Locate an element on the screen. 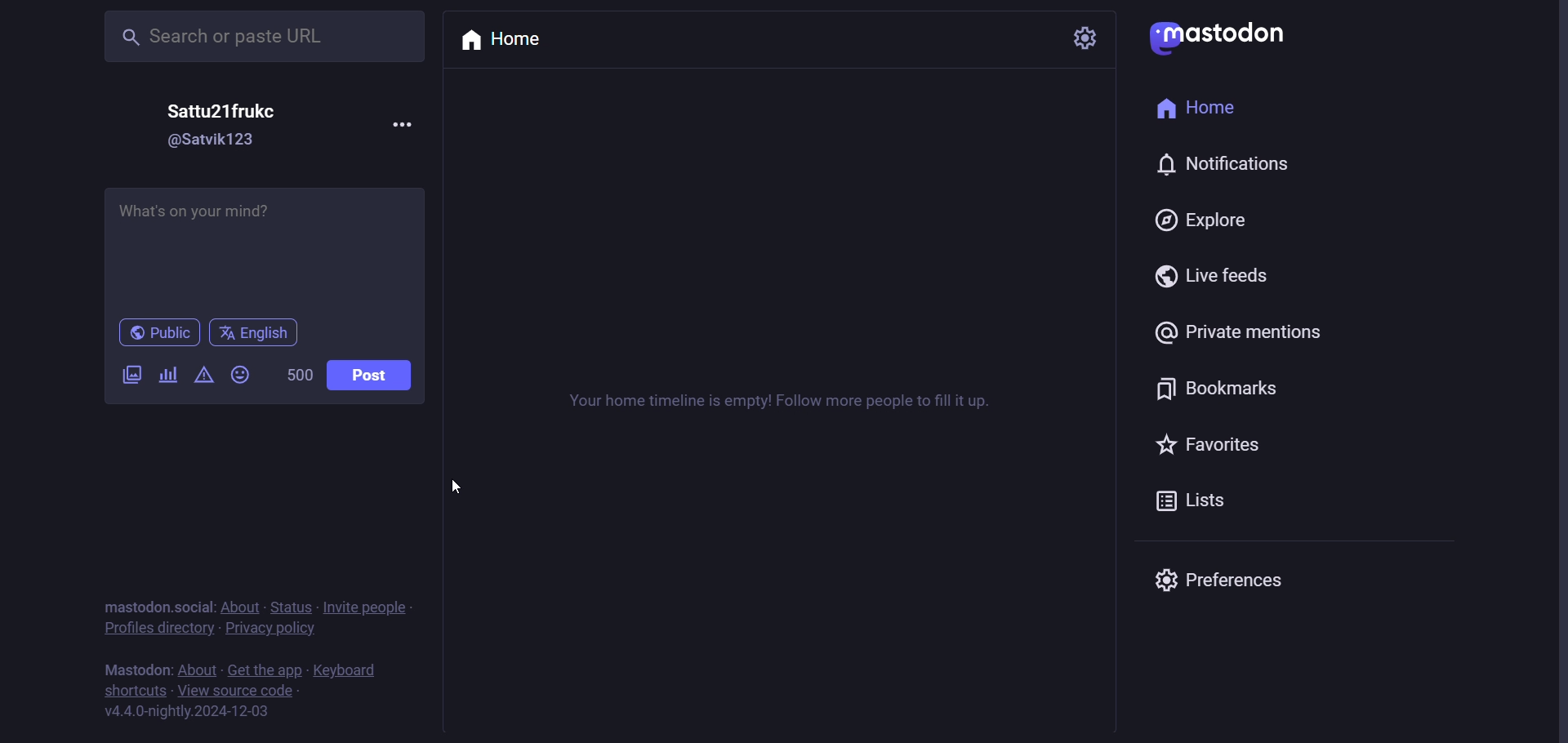 The height and width of the screenshot is (743, 1568). invite people is located at coordinates (369, 607).